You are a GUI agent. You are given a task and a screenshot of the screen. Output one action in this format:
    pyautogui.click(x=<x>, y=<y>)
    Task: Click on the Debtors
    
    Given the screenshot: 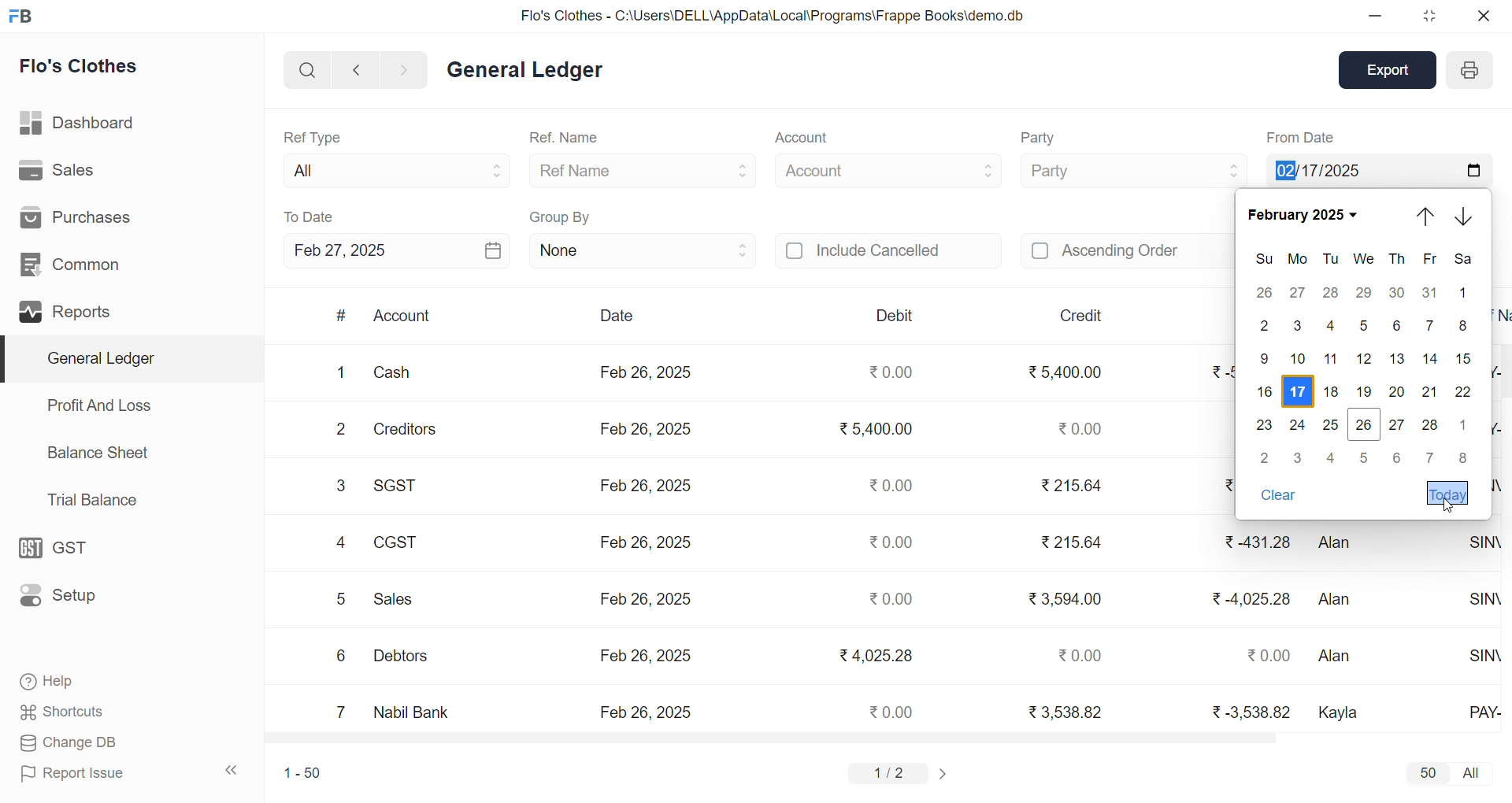 What is the action you would take?
    pyautogui.click(x=408, y=655)
    